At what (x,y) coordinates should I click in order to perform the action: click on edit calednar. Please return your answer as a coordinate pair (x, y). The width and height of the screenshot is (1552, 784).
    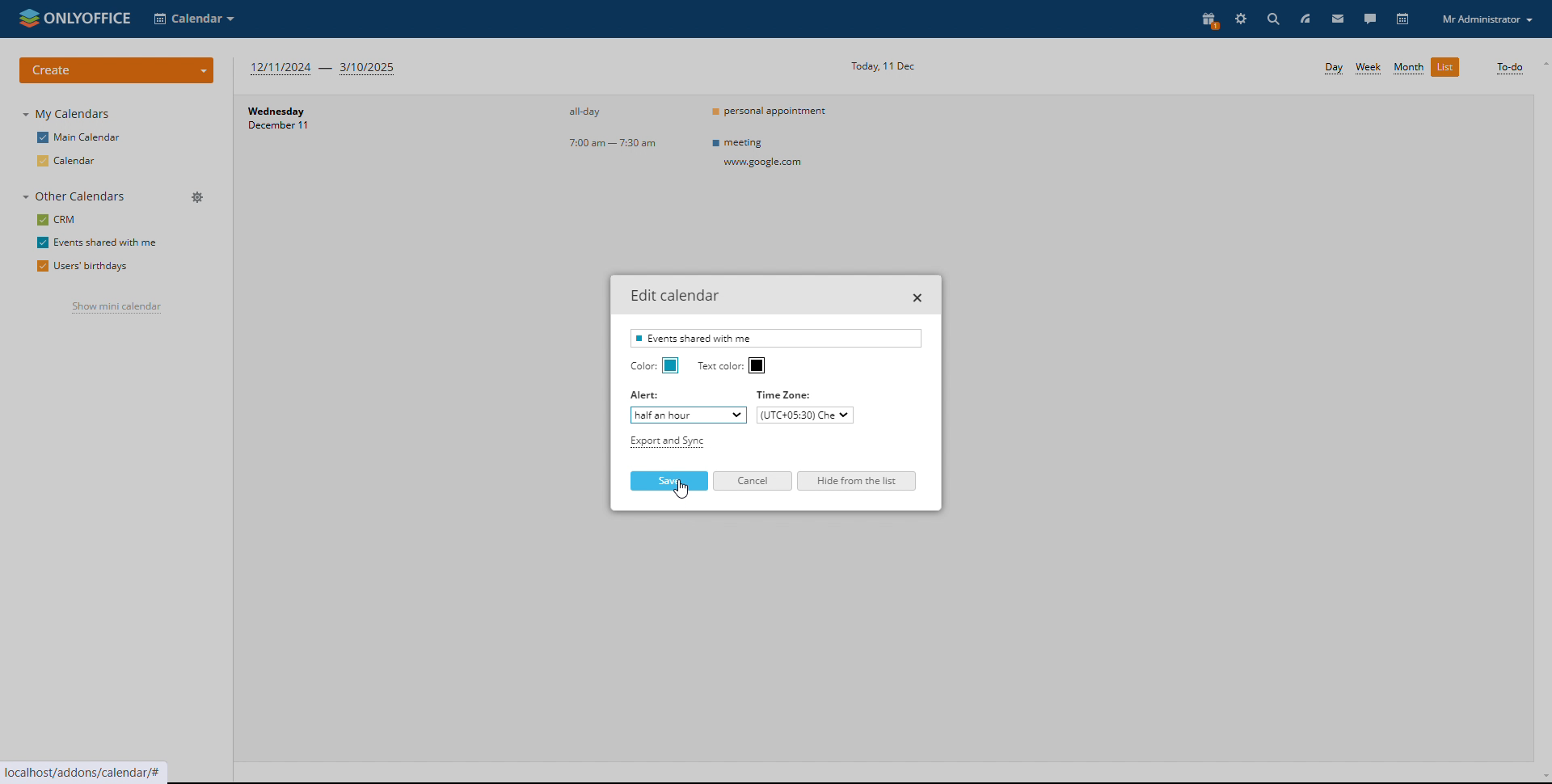
    Looking at the image, I should click on (675, 295).